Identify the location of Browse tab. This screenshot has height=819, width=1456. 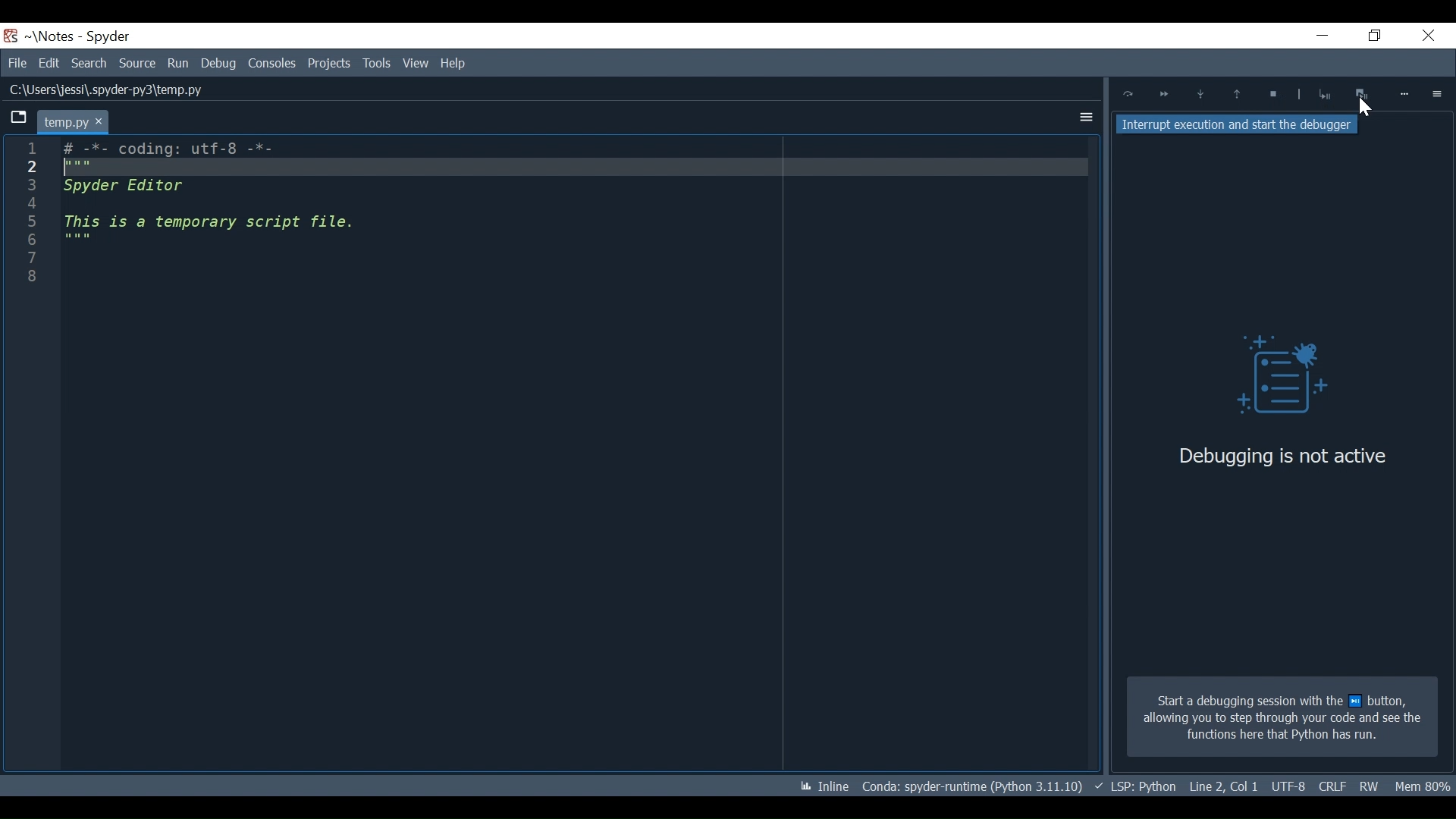
(18, 119).